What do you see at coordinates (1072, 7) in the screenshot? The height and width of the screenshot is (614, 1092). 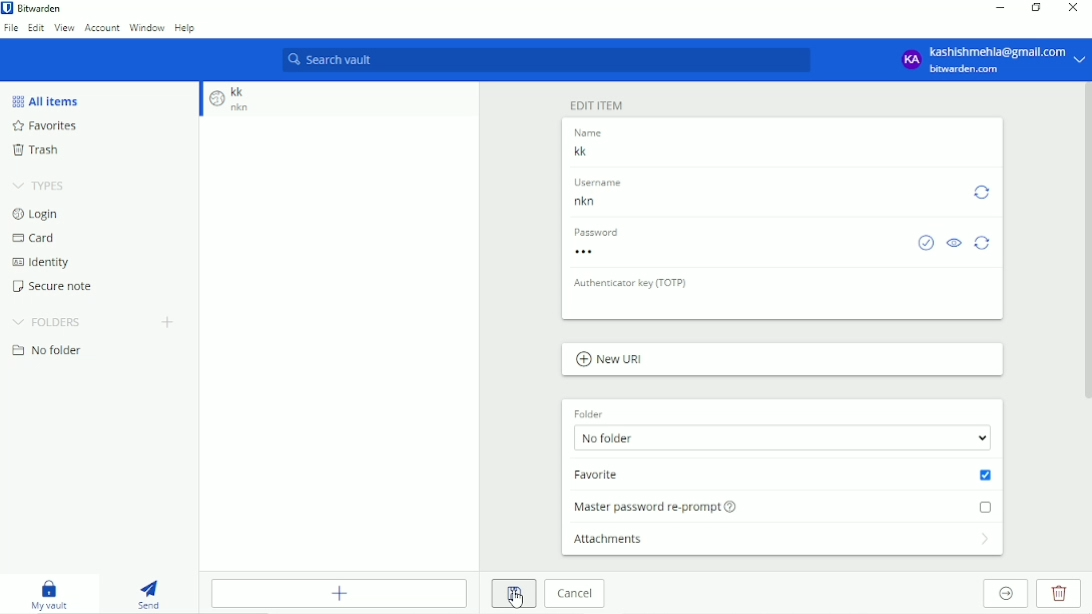 I see `Close` at bounding box center [1072, 7].